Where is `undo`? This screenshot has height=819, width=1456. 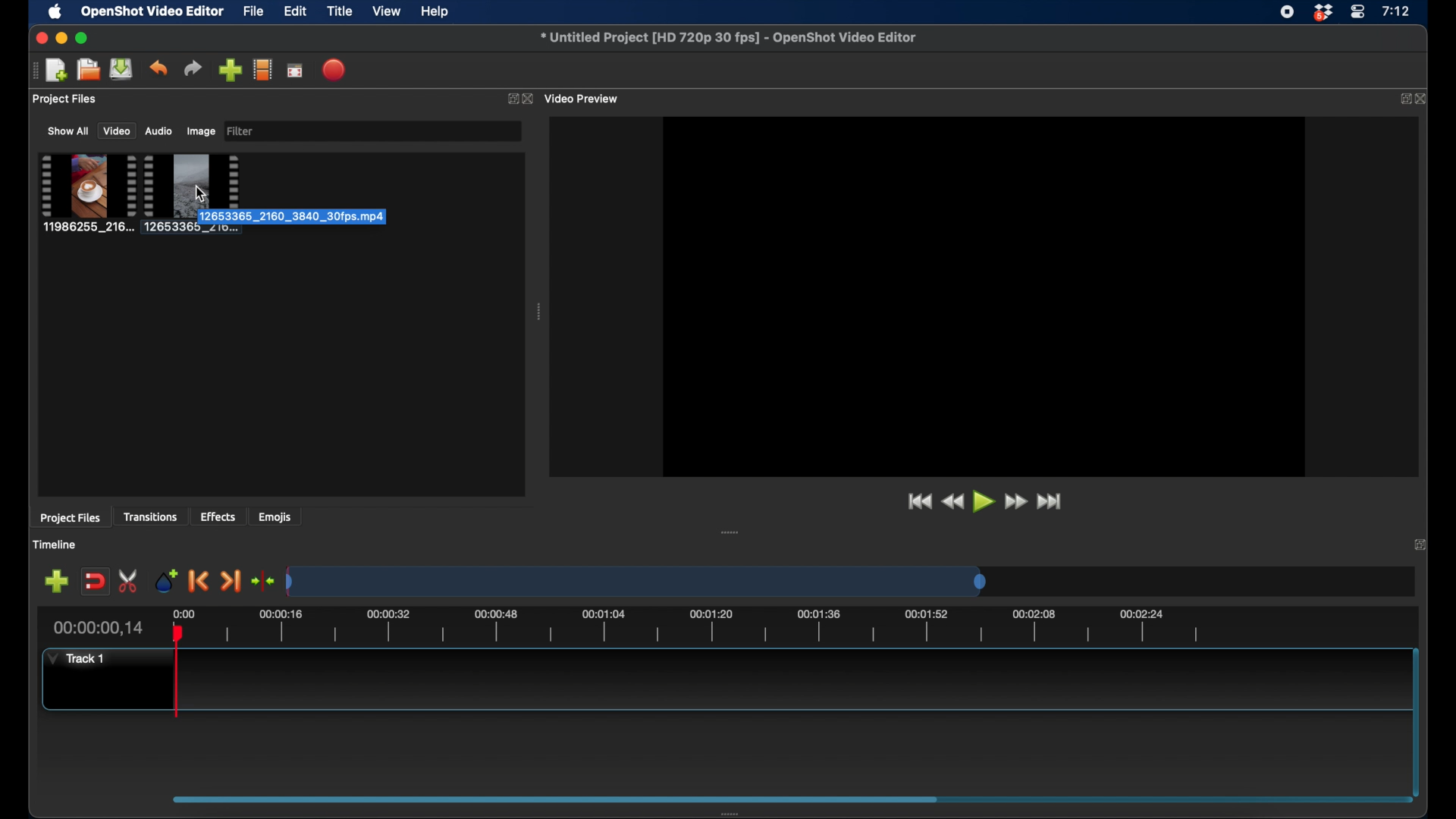
undo is located at coordinates (158, 68).